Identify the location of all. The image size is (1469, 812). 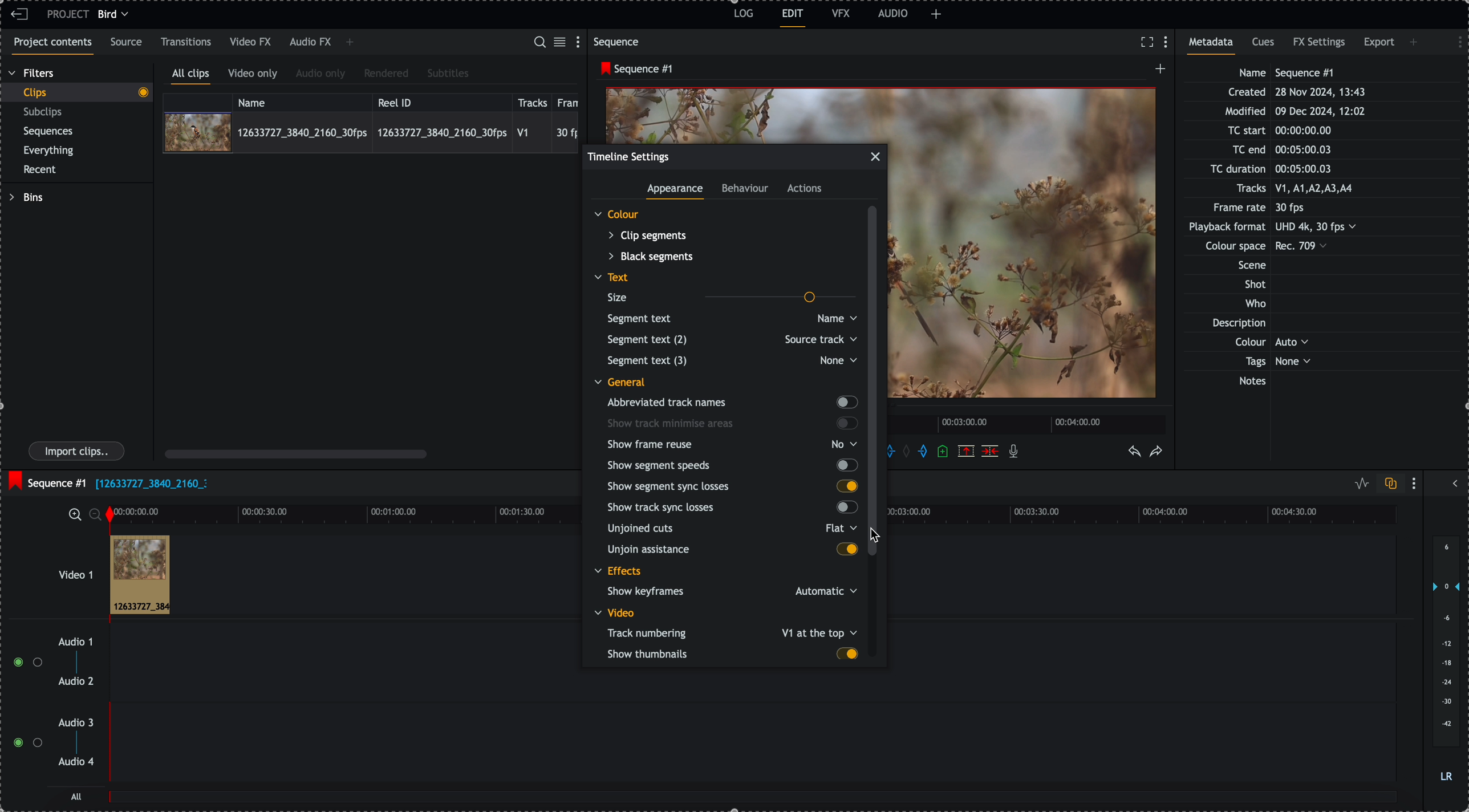
(754, 802).